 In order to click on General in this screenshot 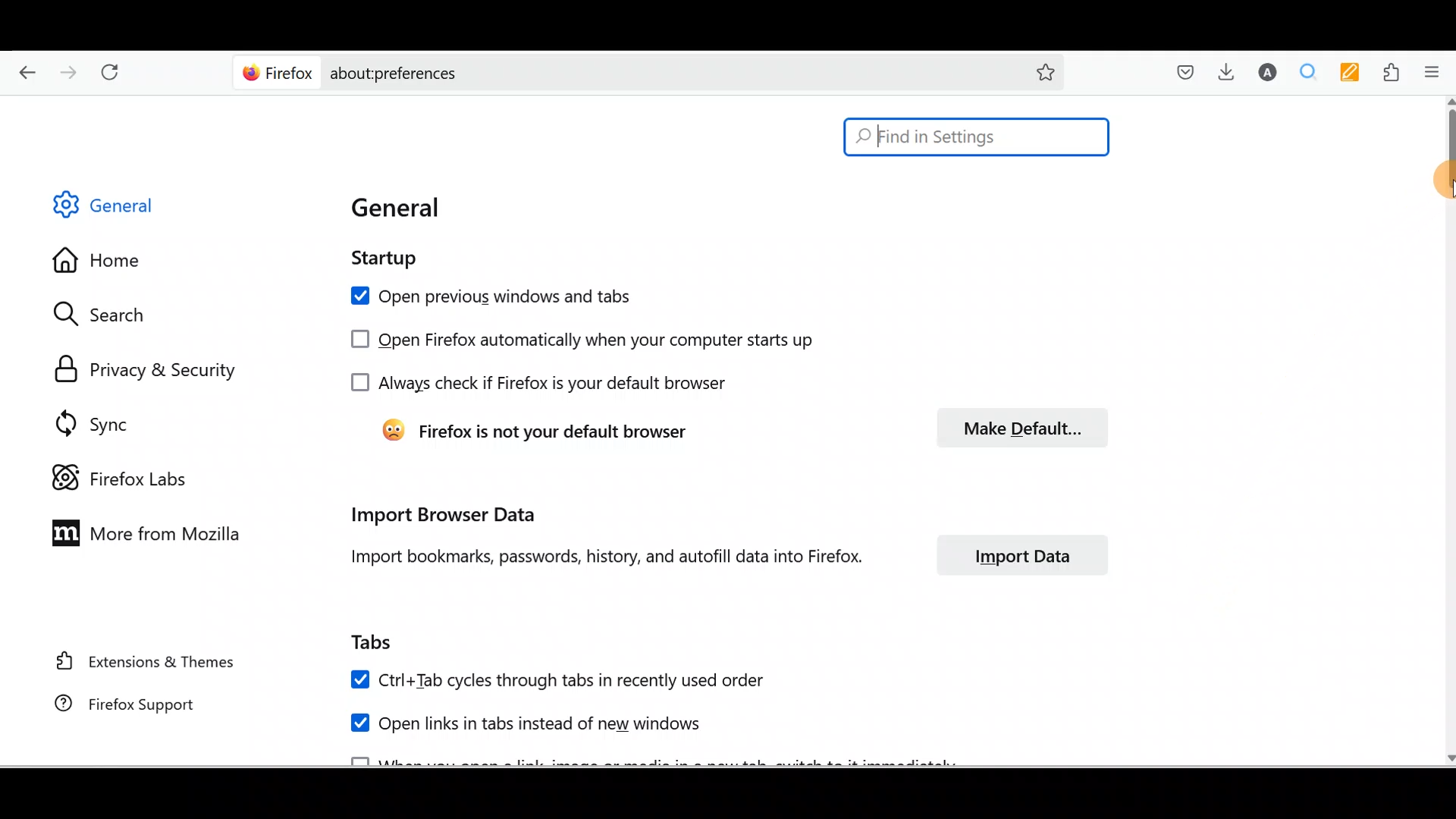, I will do `click(406, 206)`.